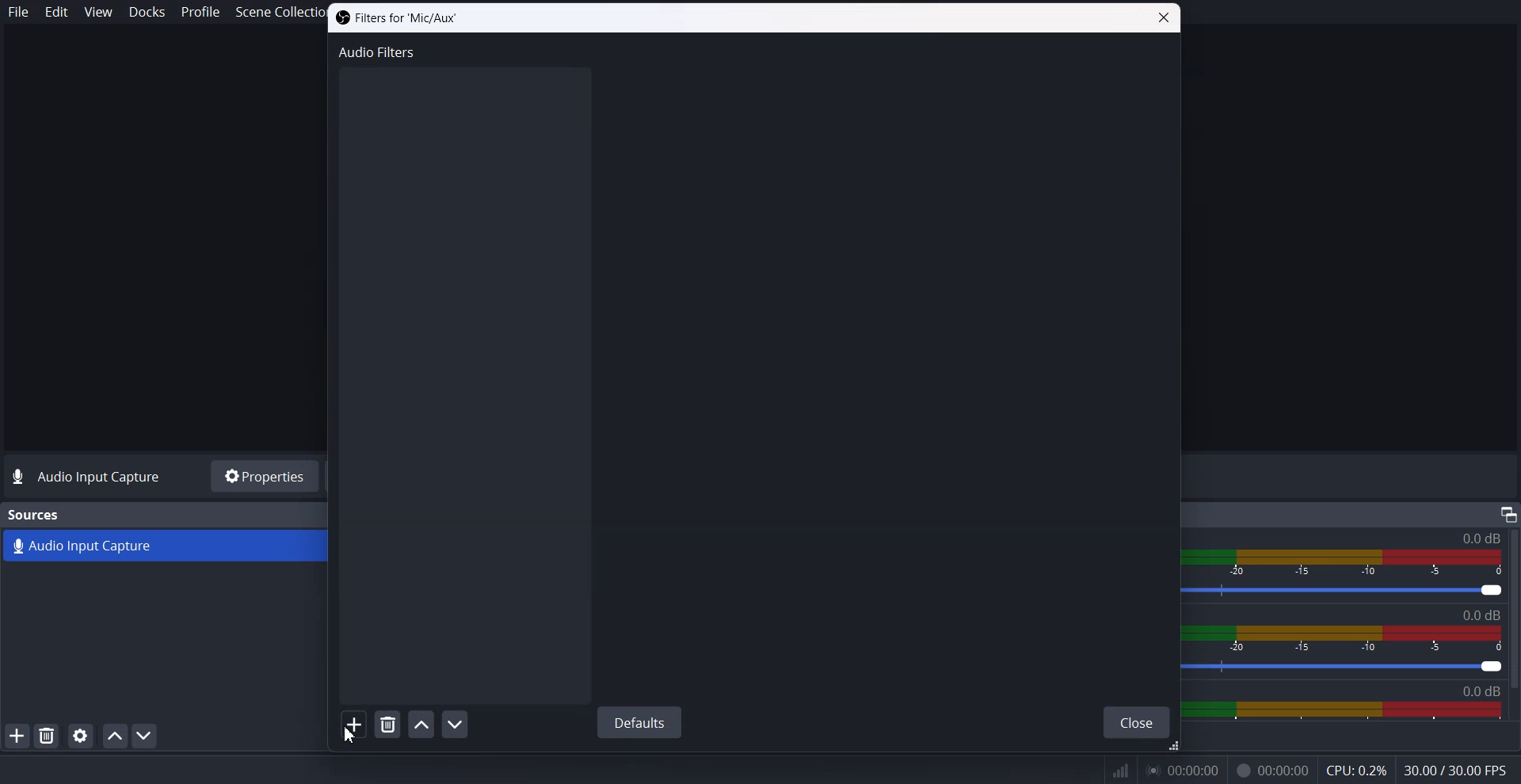 The image size is (1521, 784). What do you see at coordinates (1354, 592) in the screenshot?
I see `Volume level adjuster` at bounding box center [1354, 592].